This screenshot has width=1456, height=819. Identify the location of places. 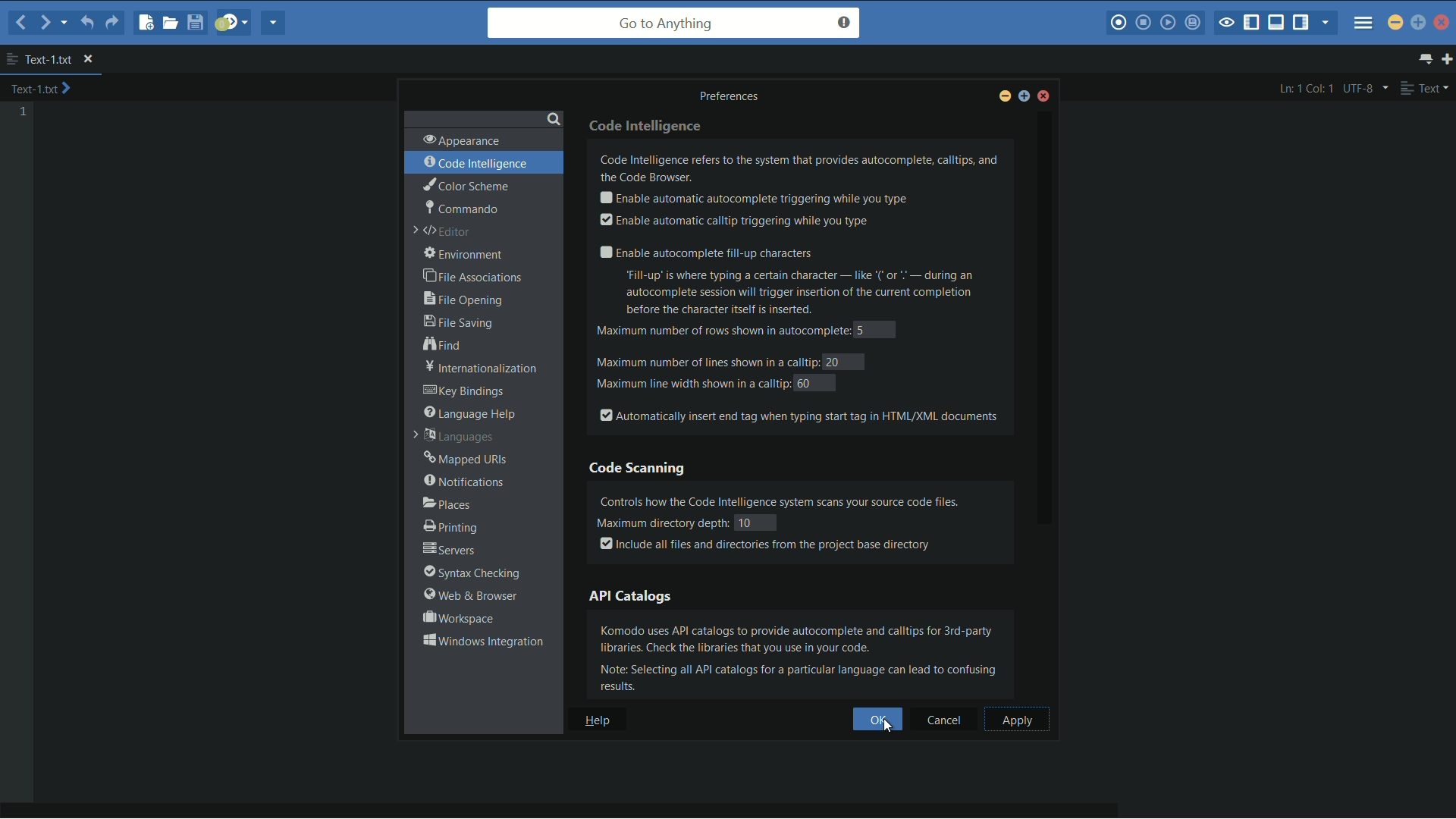
(447, 504).